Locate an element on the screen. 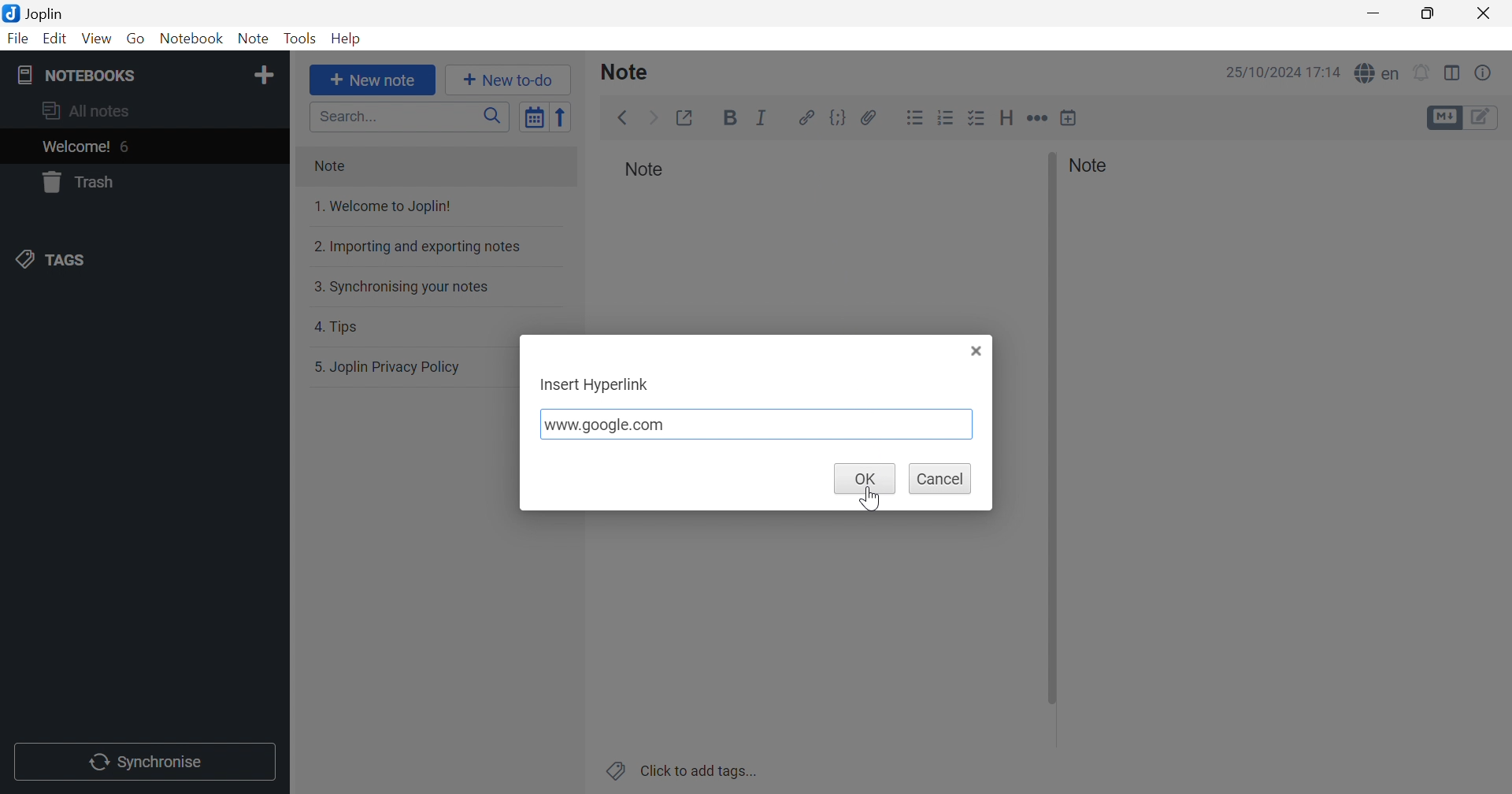 The image size is (1512, 794). Add new notebook is located at coordinates (265, 77).